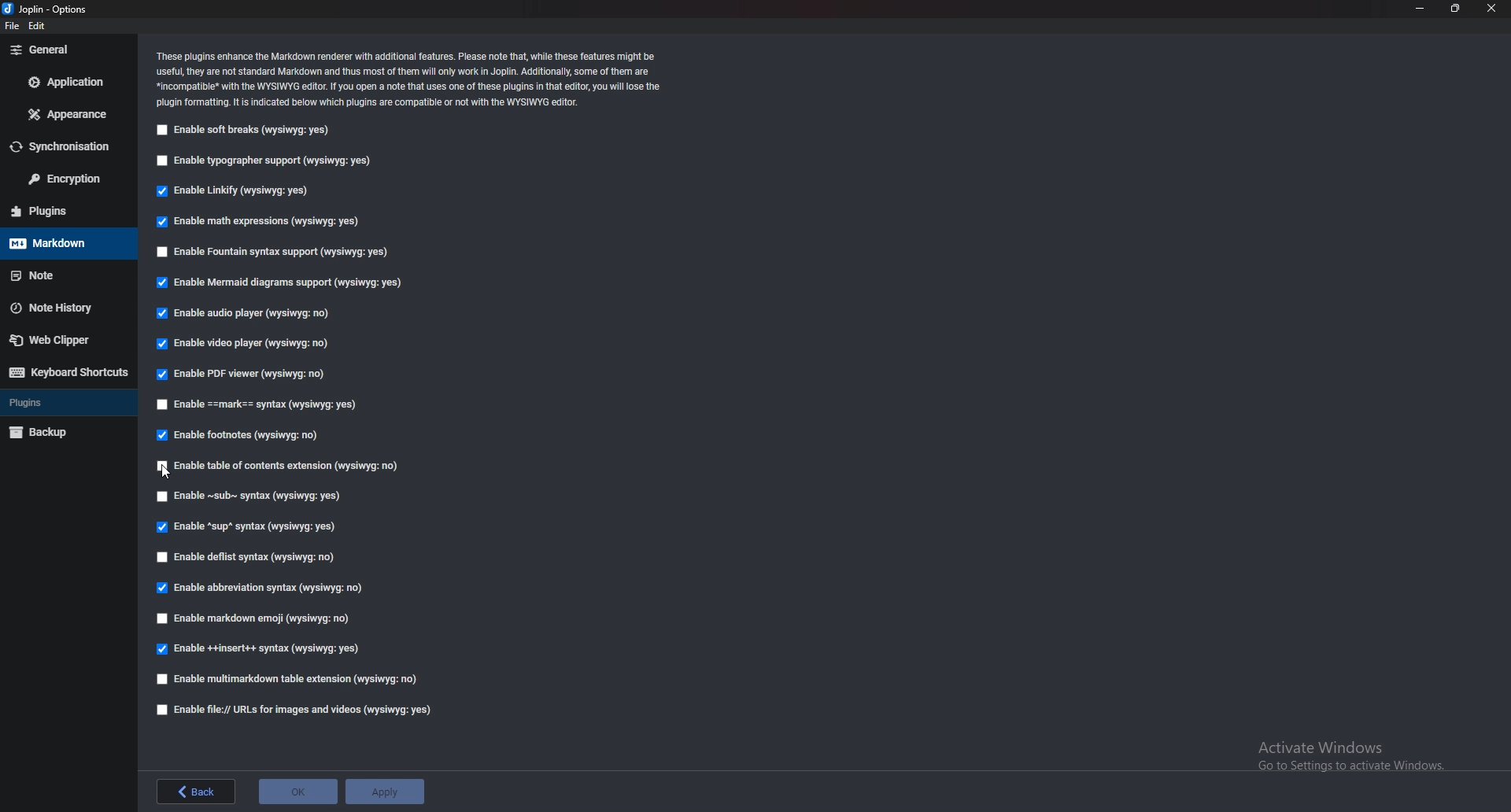 The image size is (1511, 812). What do you see at coordinates (248, 373) in the screenshot?
I see `Enable PDF viewer` at bounding box center [248, 373].